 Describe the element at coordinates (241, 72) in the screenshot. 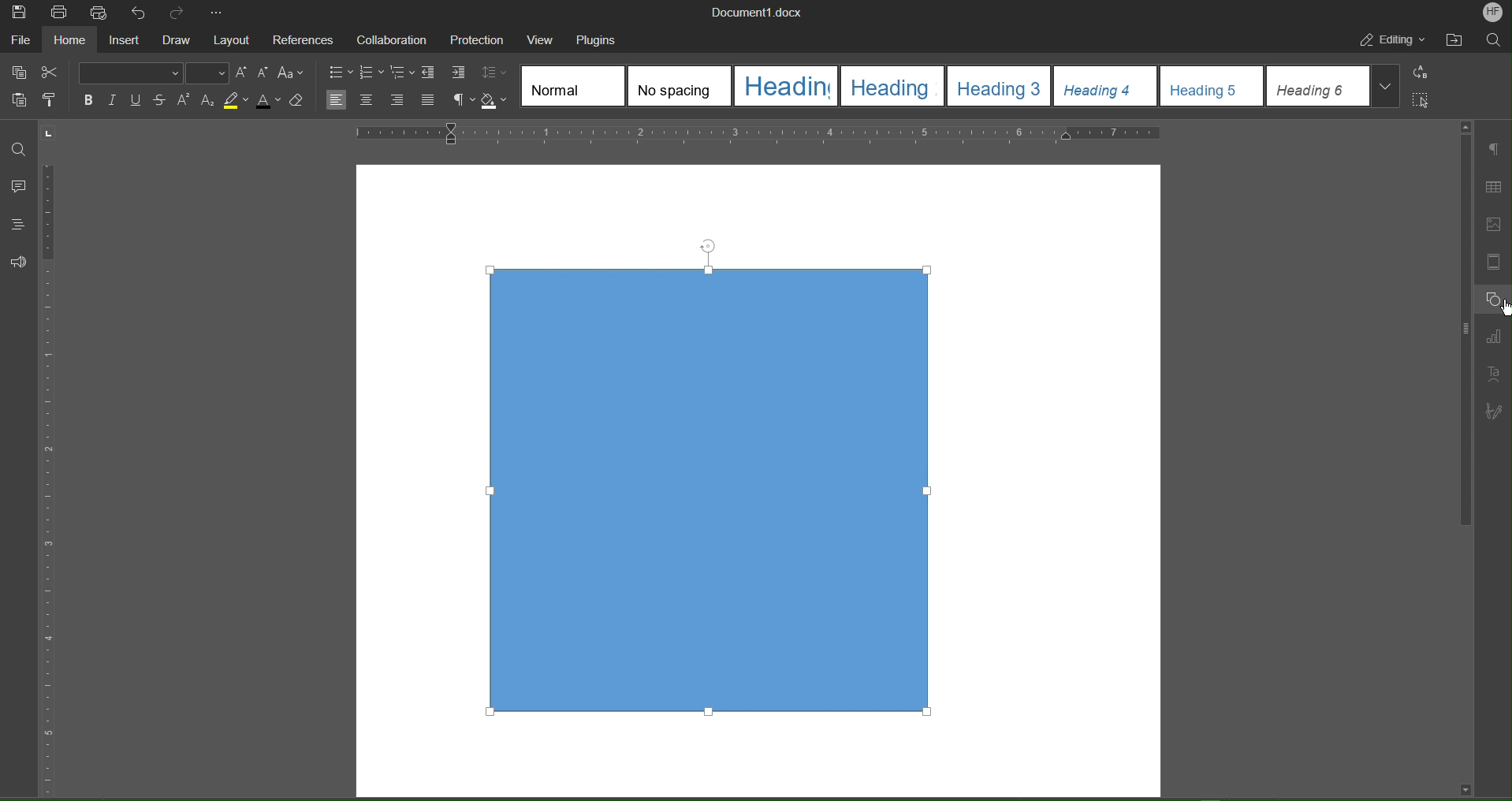

I see `Increase size` at that location.